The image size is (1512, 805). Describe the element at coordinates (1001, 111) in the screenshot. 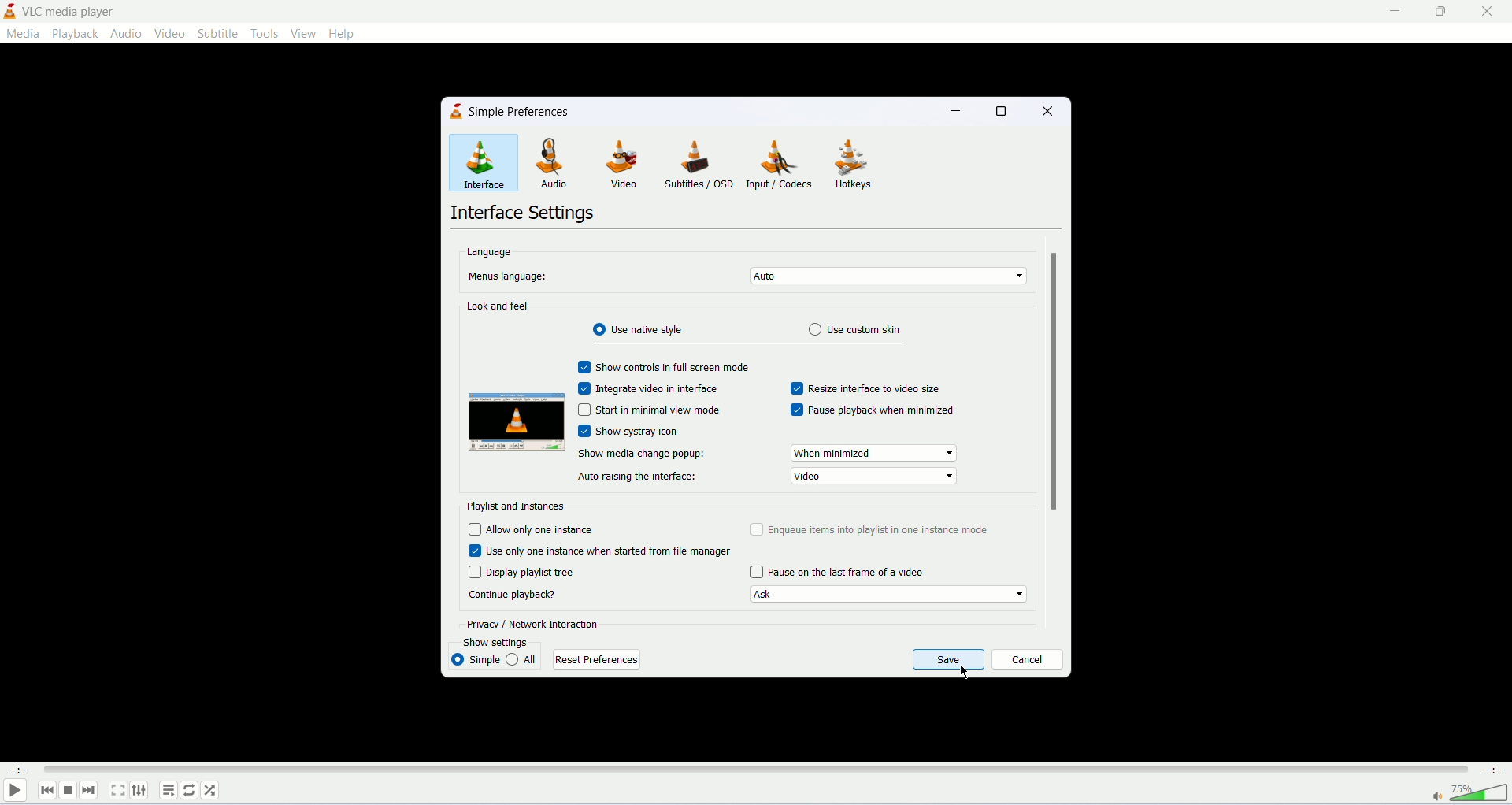

I see `maximize` at that location.